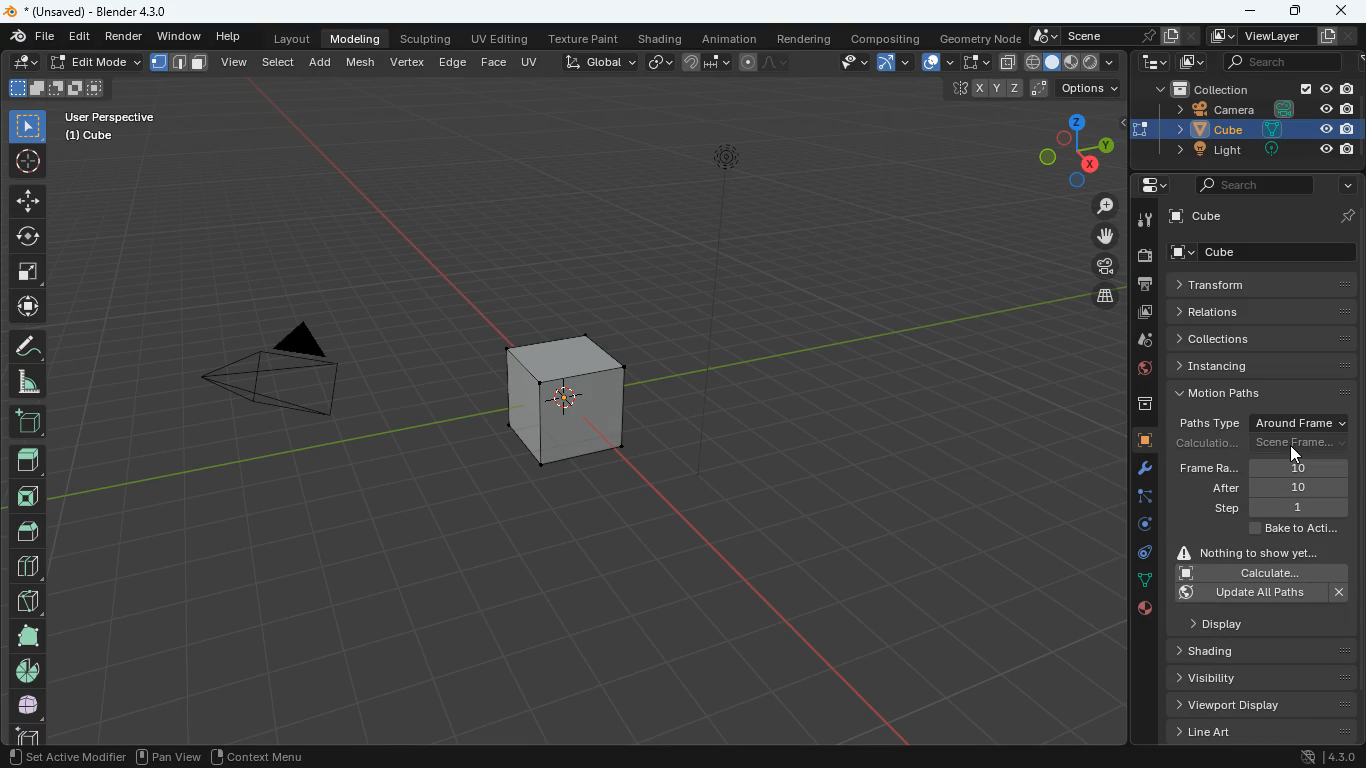 This screenshot has width=1366, height=768. I want to click on render, so click(127, 38).